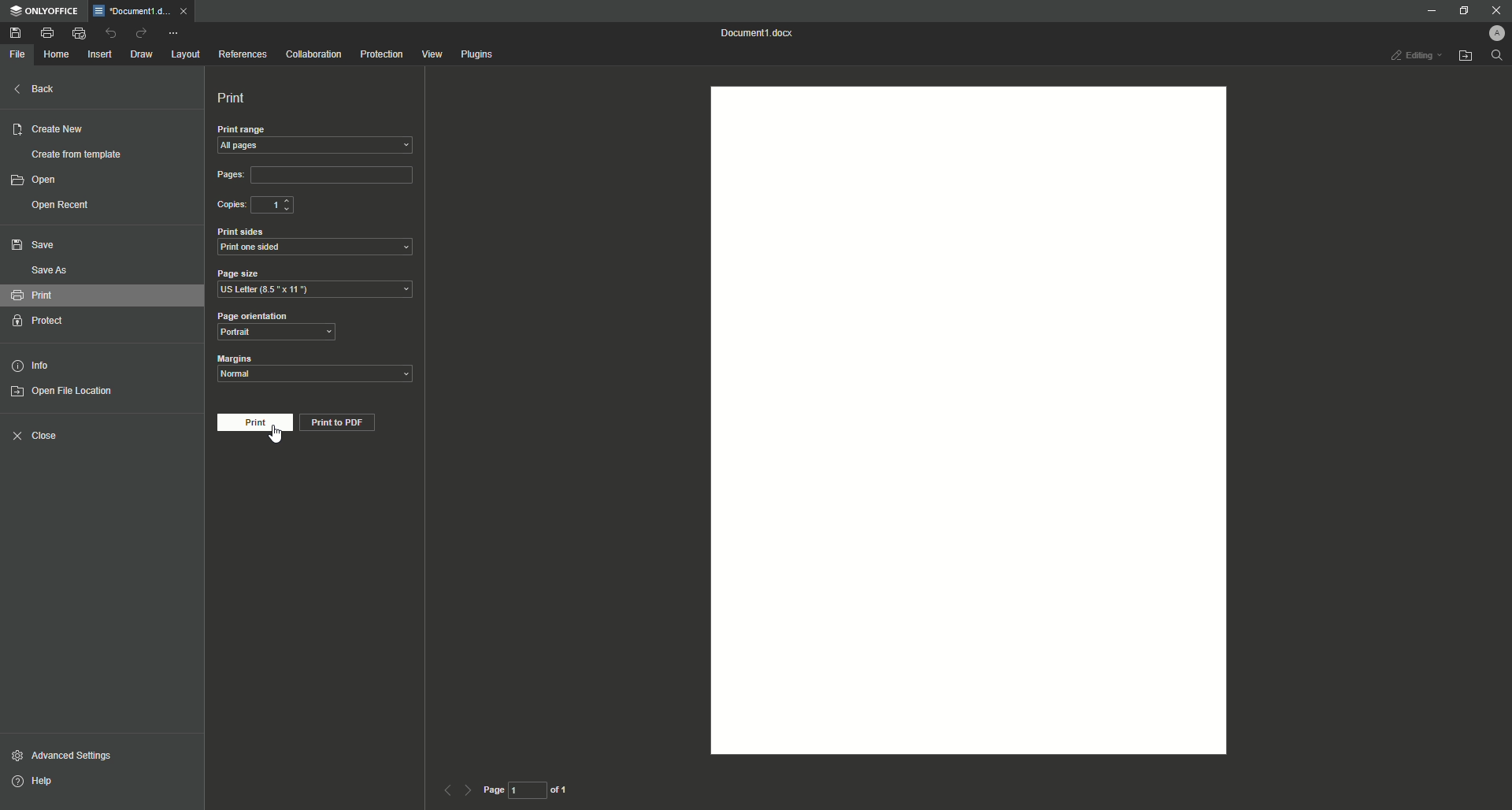 This screenshot has width=1512, height=810. Describe the element at coordinates (46, 271) in the screenshot. I see `Save as` at that location.